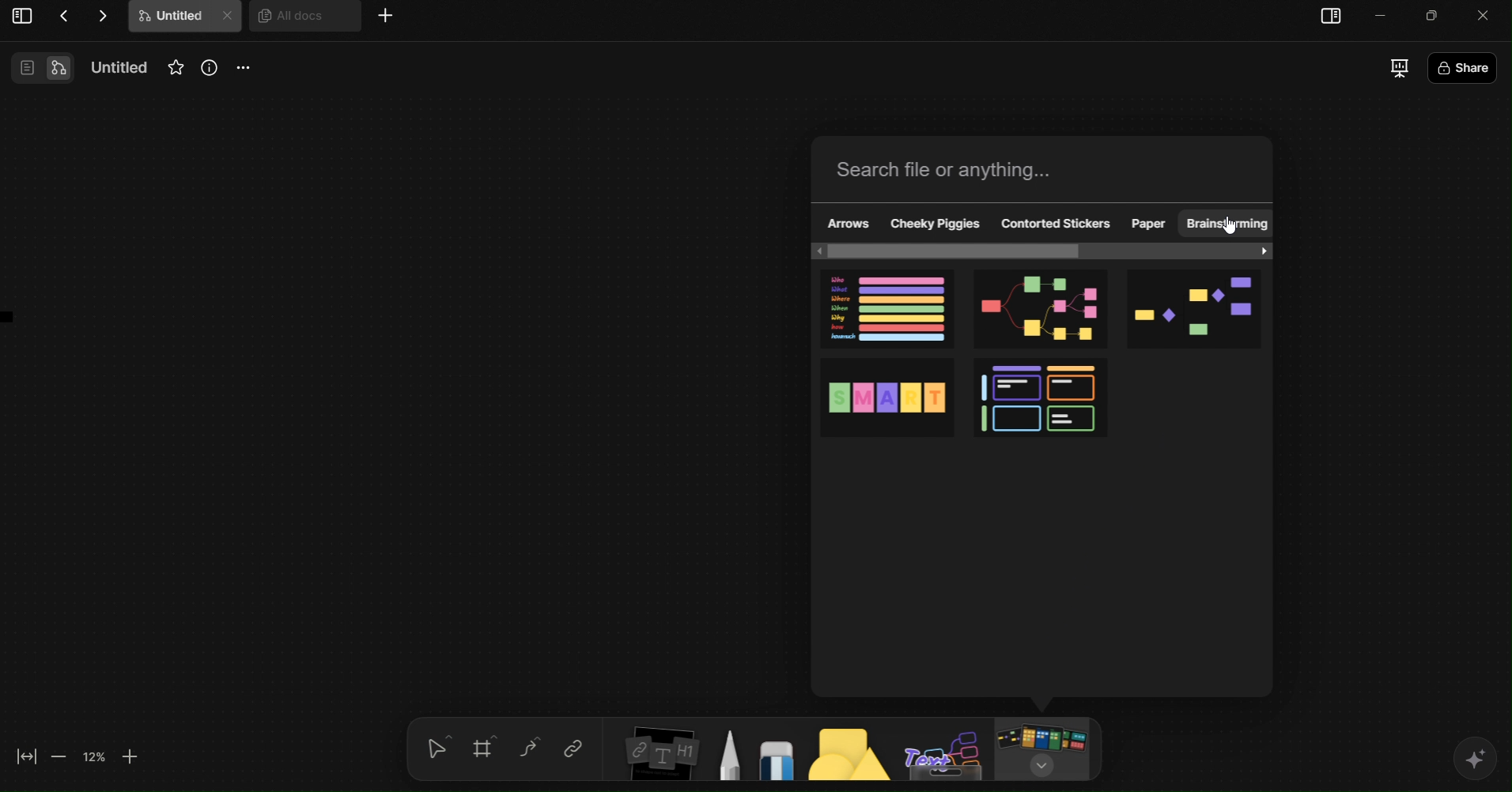 The width and height of the screenshot is (1512, 792). I want to click on Zoom, so click(76, 756).